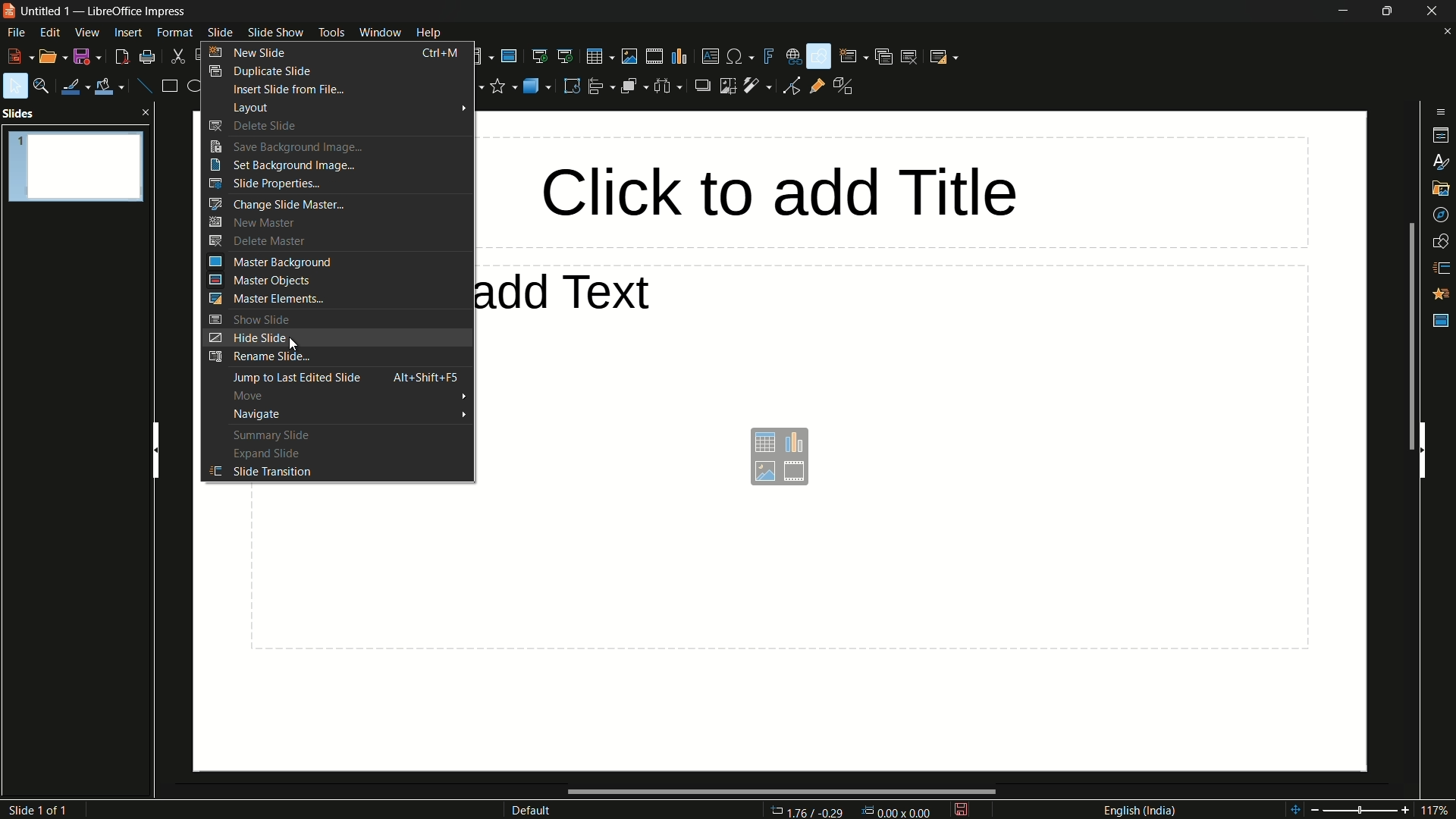  I want to click on insert audio or video, so click(654, 56).